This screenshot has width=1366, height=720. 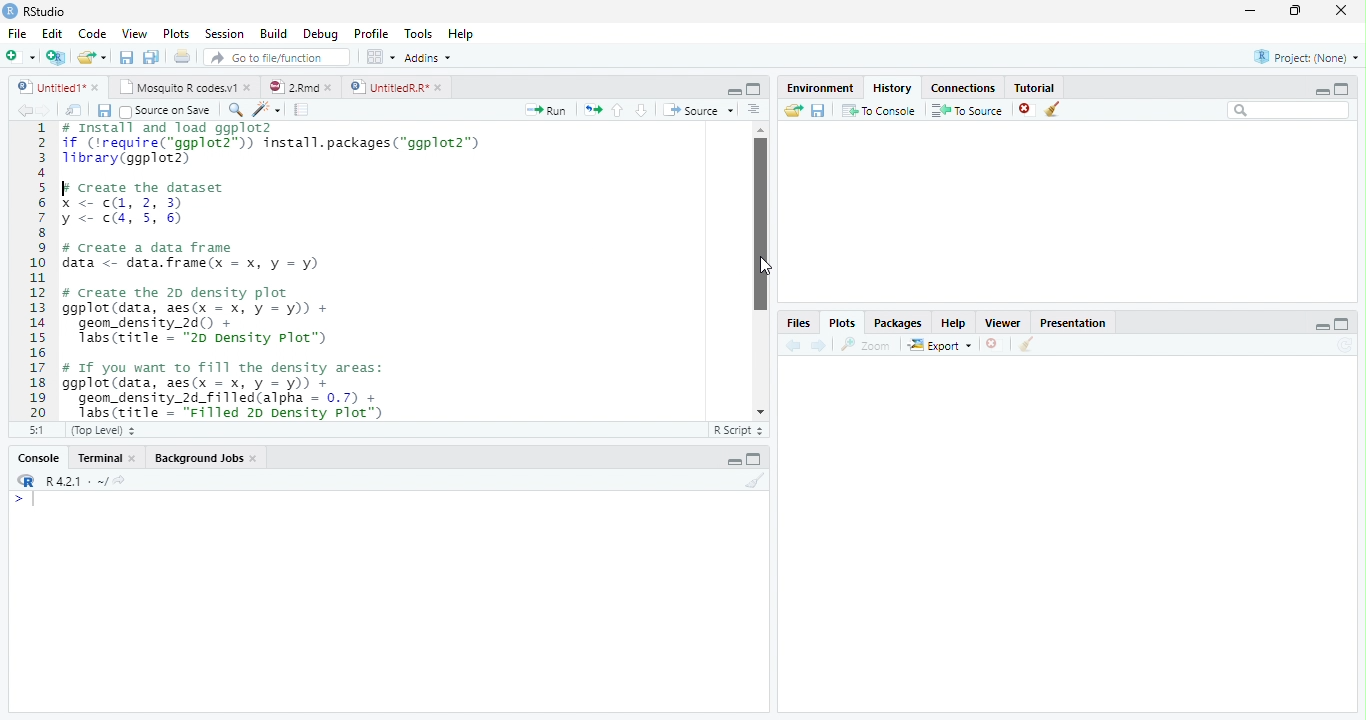 I want to click on Background Jobs, so click(x=200, y=459).